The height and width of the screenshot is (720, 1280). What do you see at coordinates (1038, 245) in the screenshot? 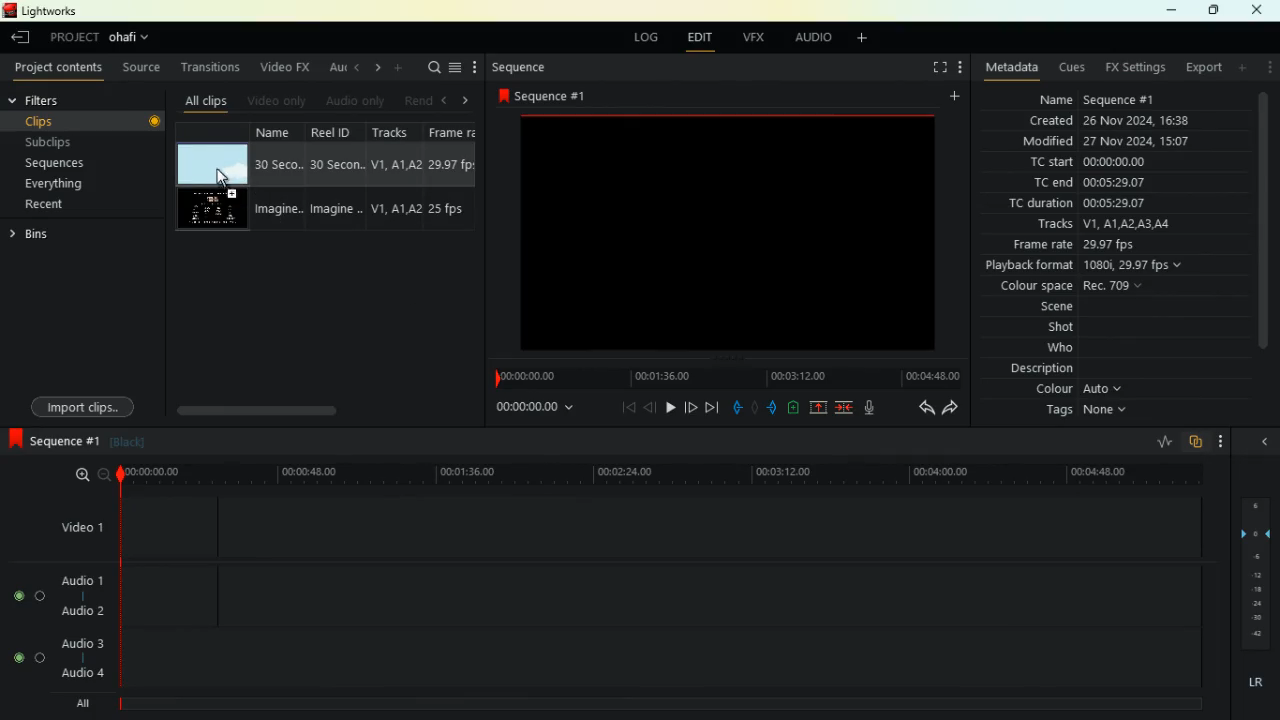
I see `frame rate` at bounding box center [1038, 245].